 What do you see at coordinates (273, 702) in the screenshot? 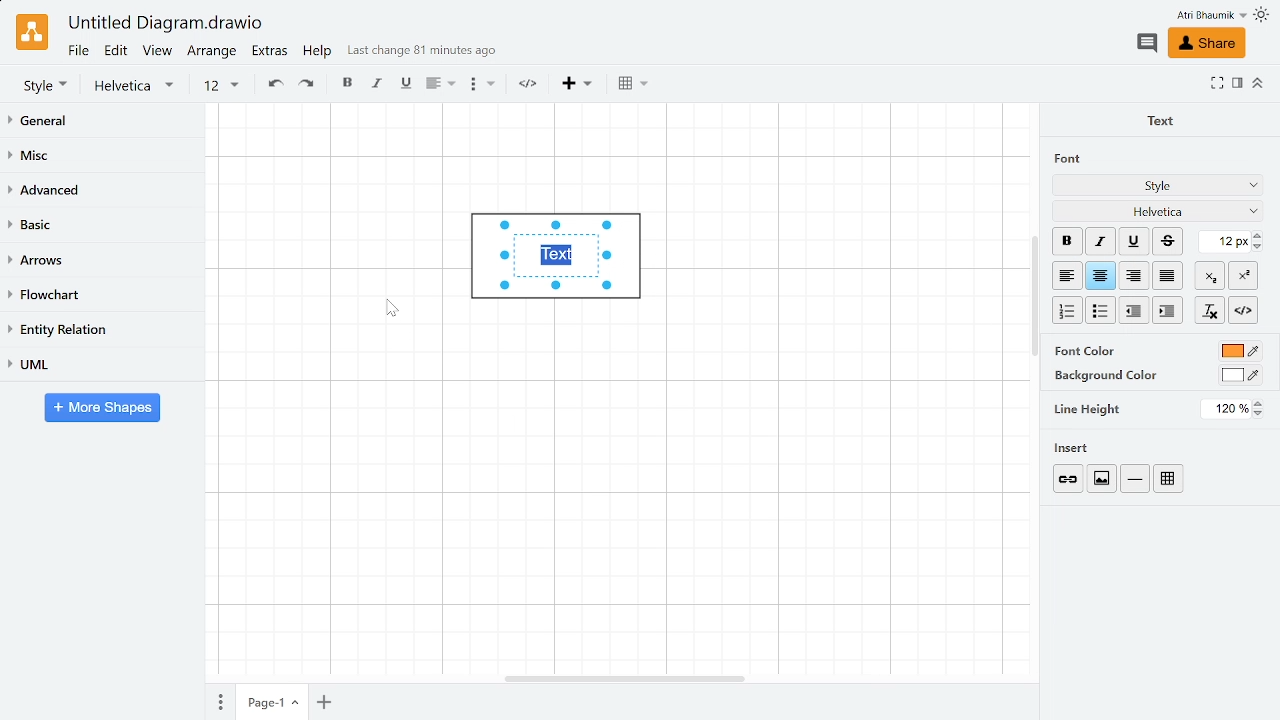
I see `Current page` at bounding box center [273, 702].